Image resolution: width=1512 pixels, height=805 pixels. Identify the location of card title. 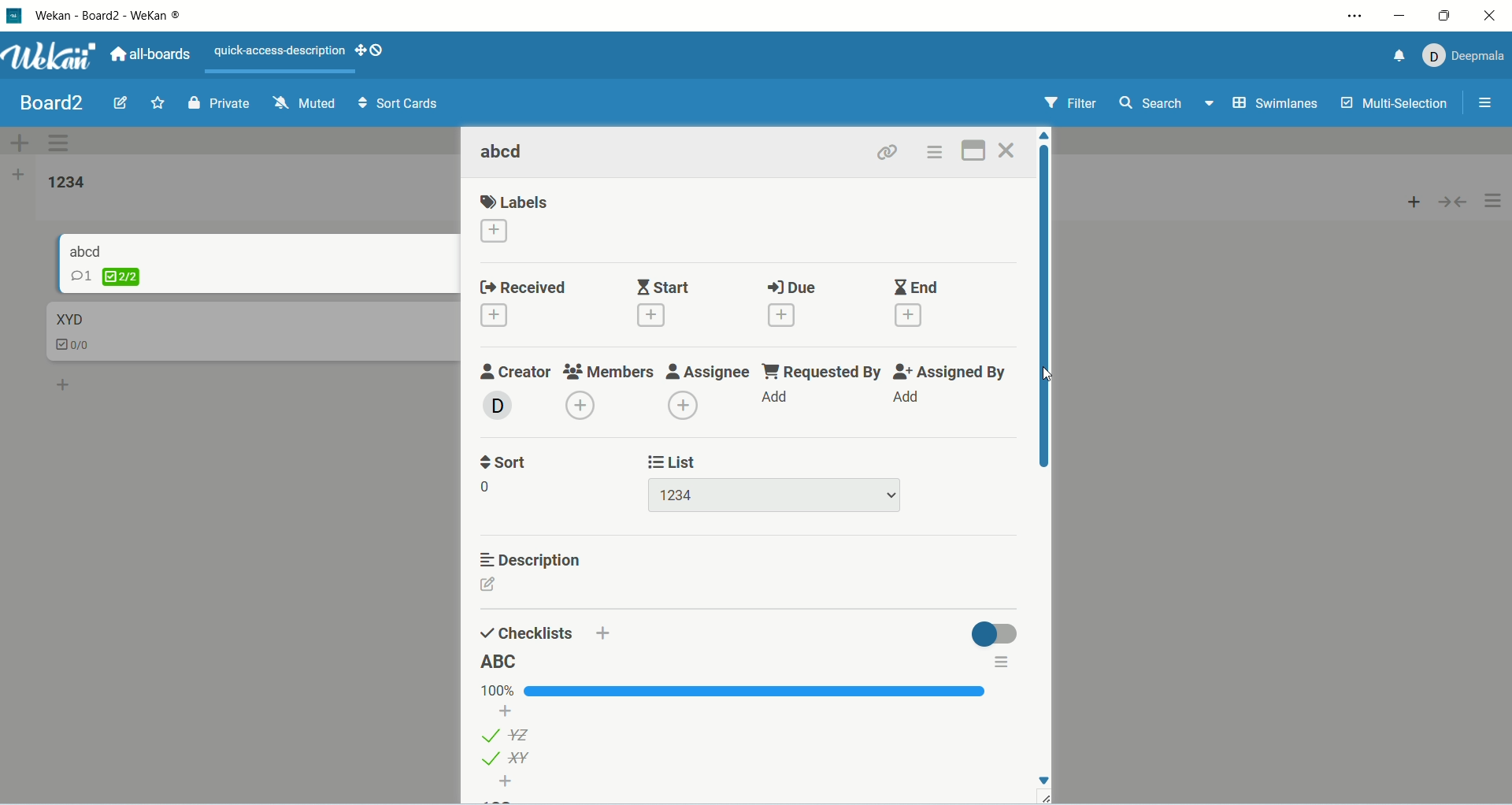
(87, 250).